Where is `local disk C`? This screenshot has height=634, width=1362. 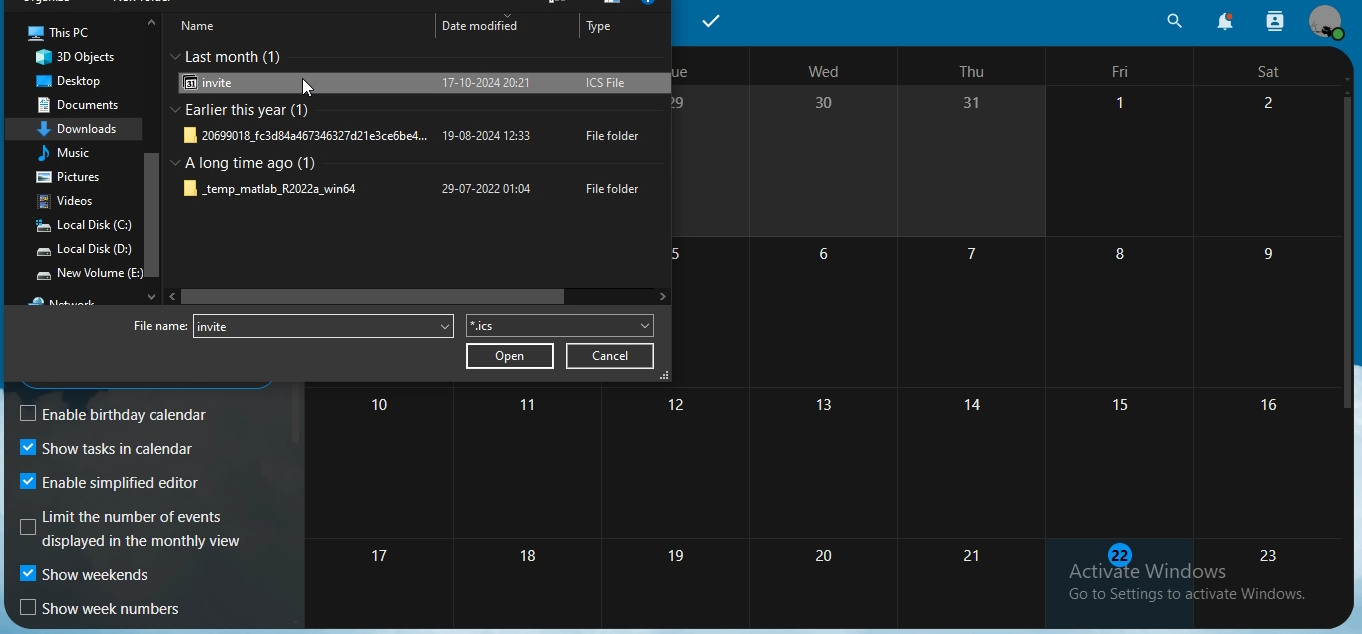 local disk C is located at coordinates (83, 227).